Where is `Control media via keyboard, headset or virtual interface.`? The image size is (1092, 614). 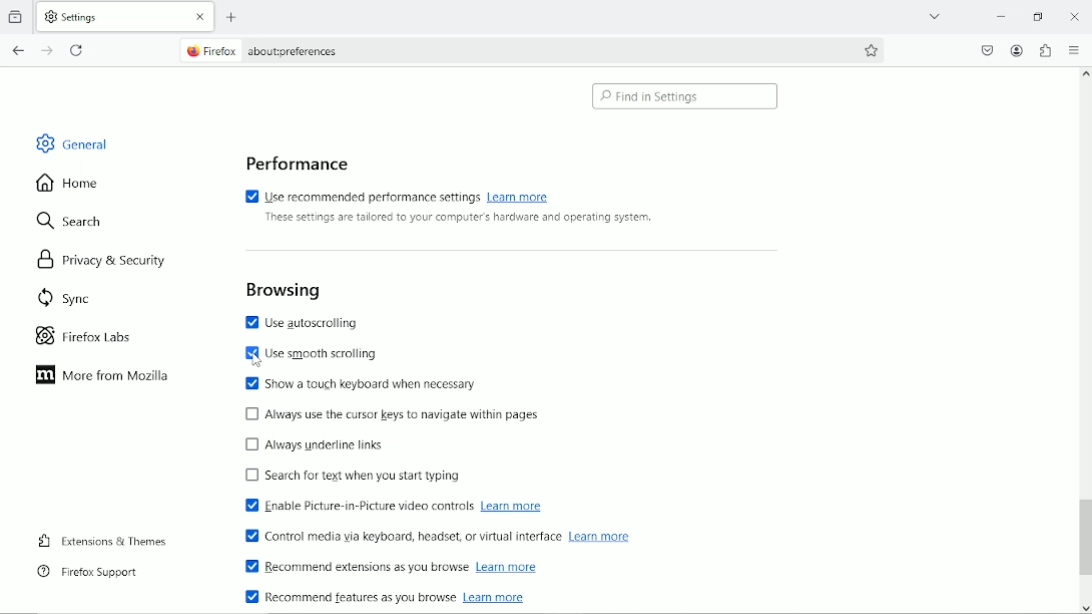
Control media via keyboard, headset or virtual interface. is located at coordinates (396, 536).